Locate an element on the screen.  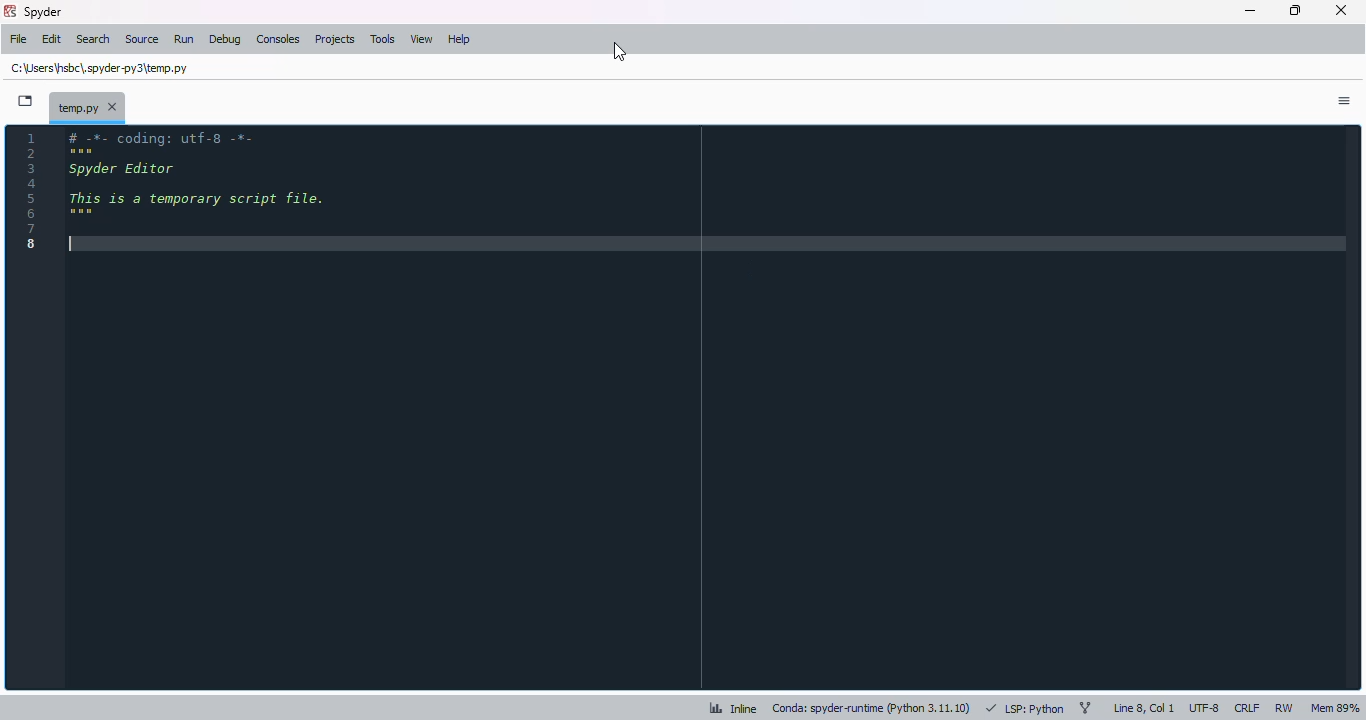
CRLF is located at coordinates (1247, 708).